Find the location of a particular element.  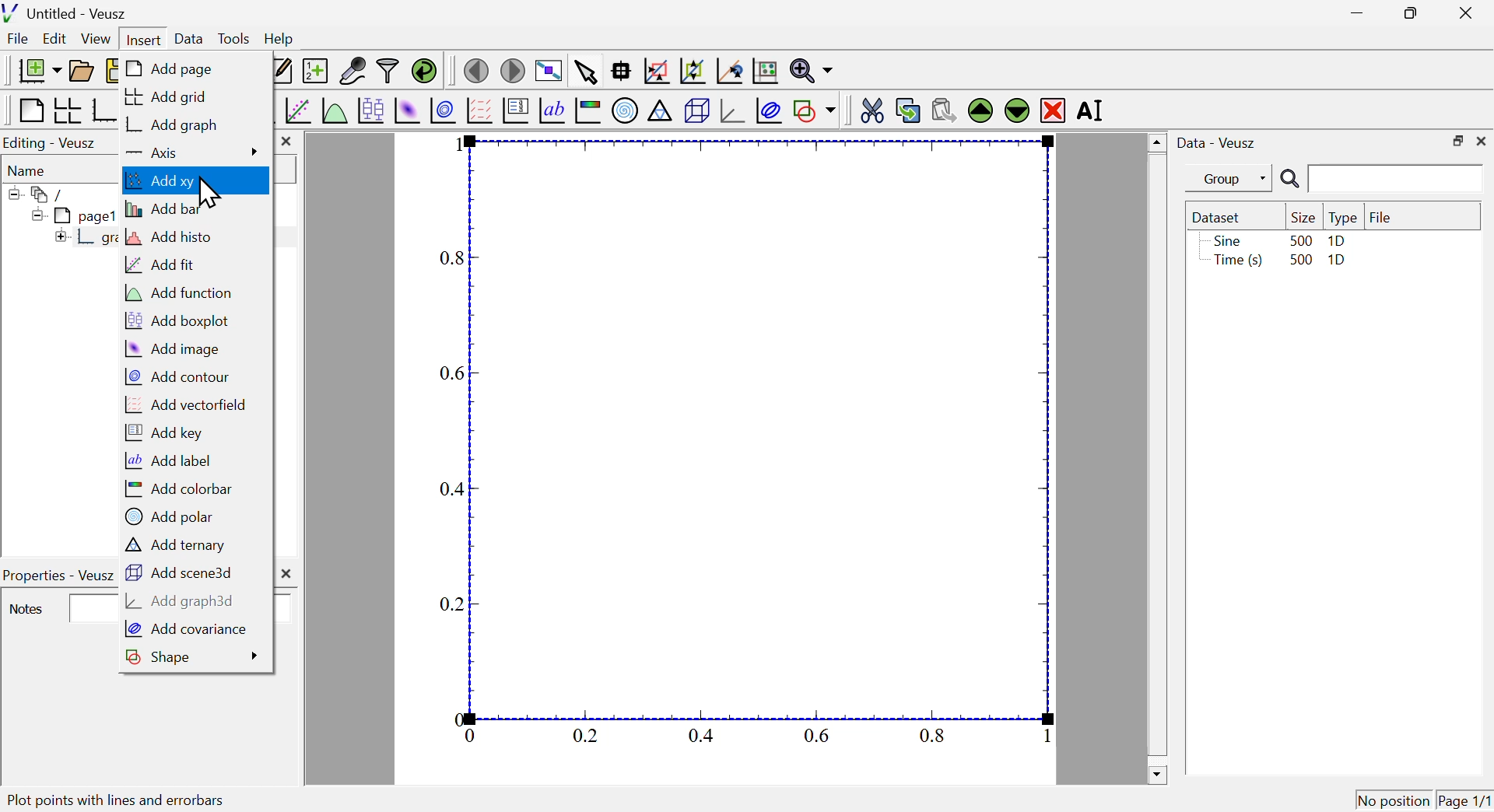

0.8 is located at coordinates (935, 735).